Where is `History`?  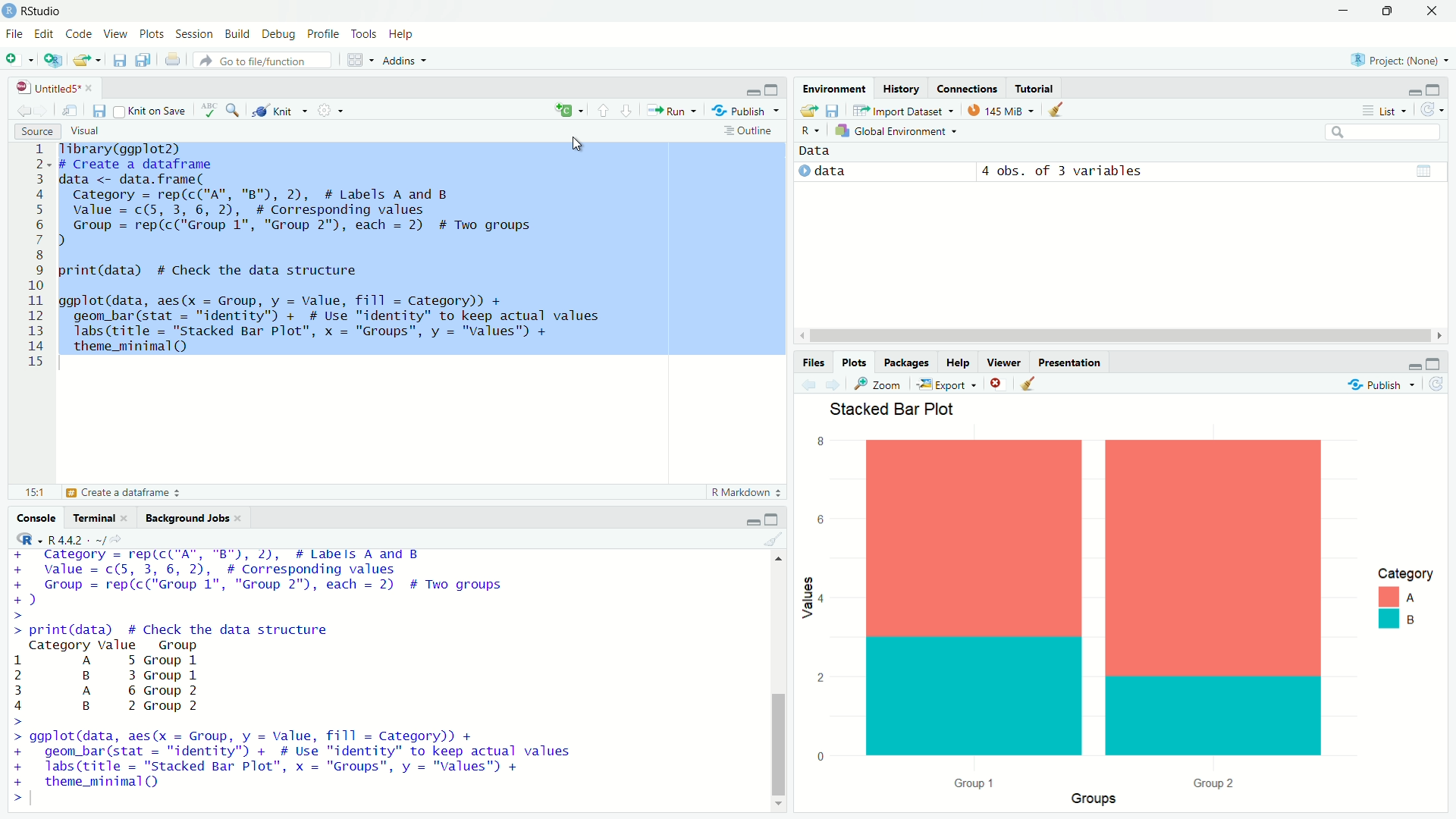
History is located at coordinates (902, 86).